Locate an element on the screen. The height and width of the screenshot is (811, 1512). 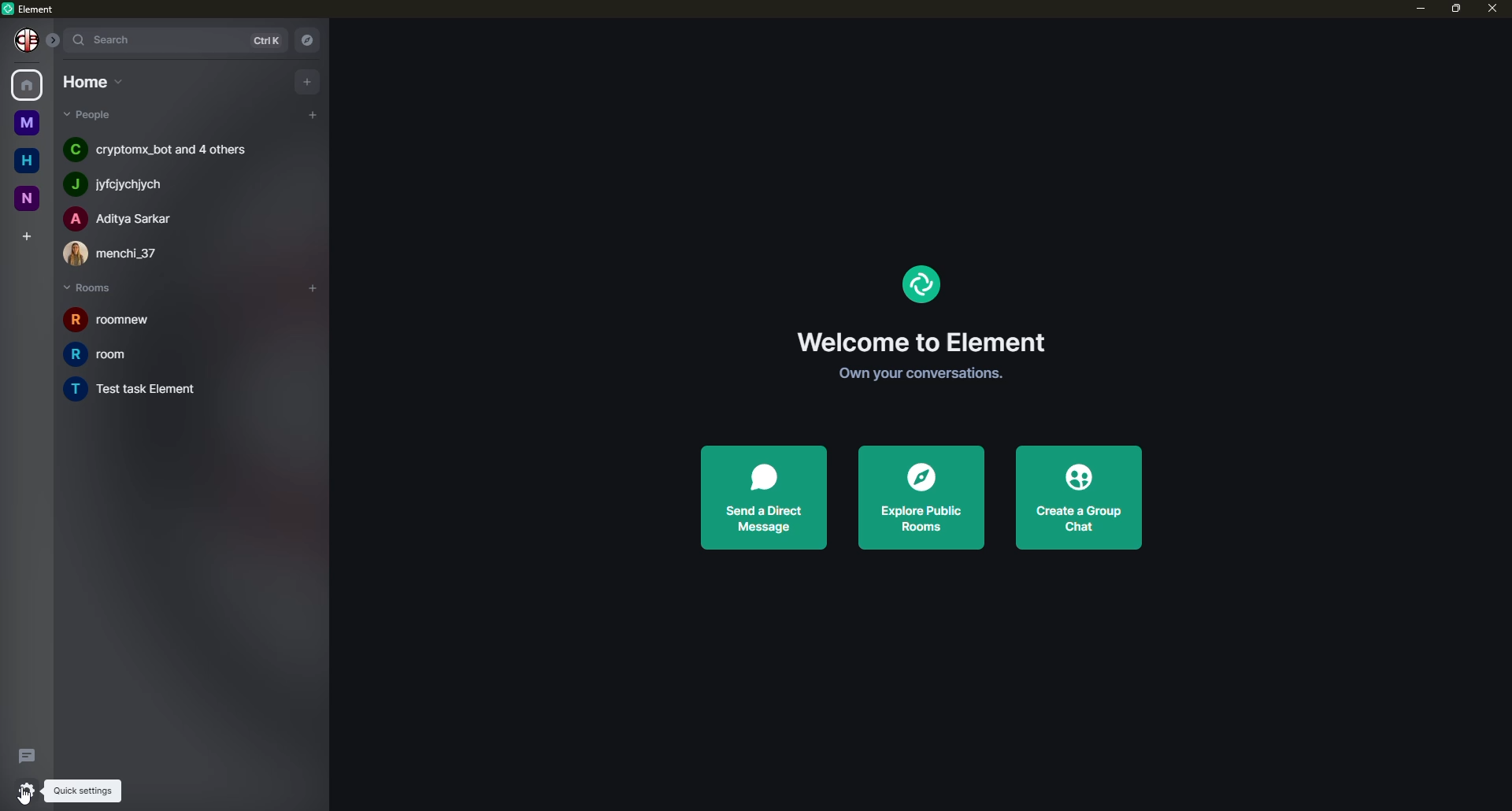
expand is located at coordinates (54, 39).